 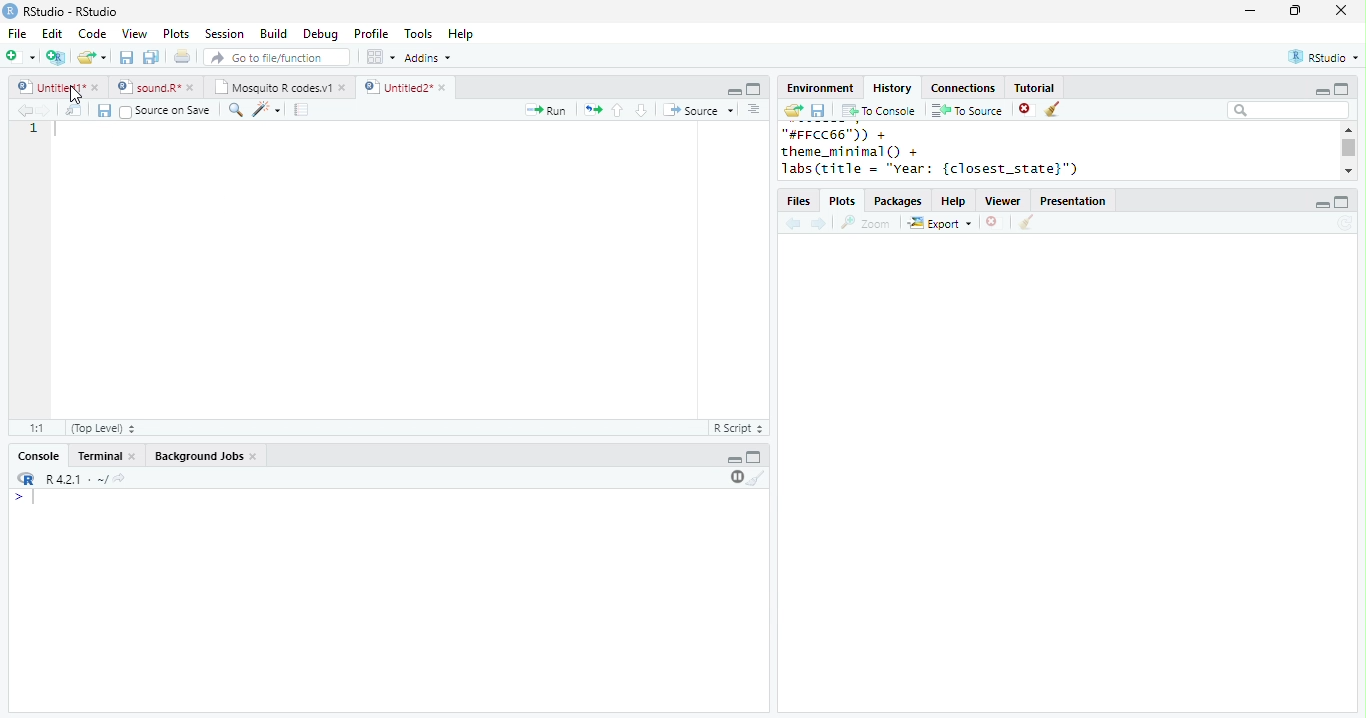 I want to click on clear, so click(x=1054, y=110).